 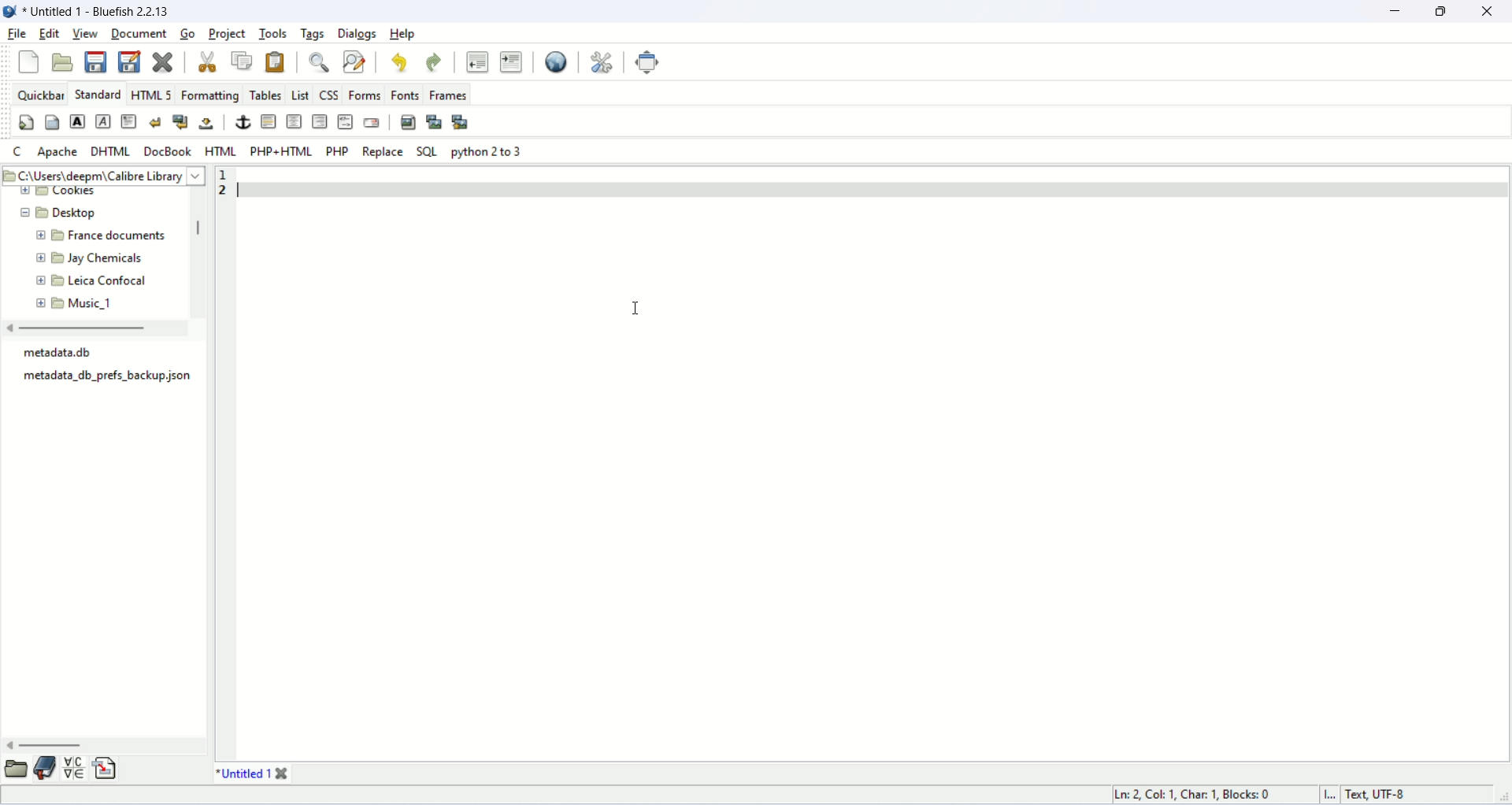 What do you see at coordinates (211, 95) in the screenshot?
I see `Formatting` at bounding box center [211, 95].